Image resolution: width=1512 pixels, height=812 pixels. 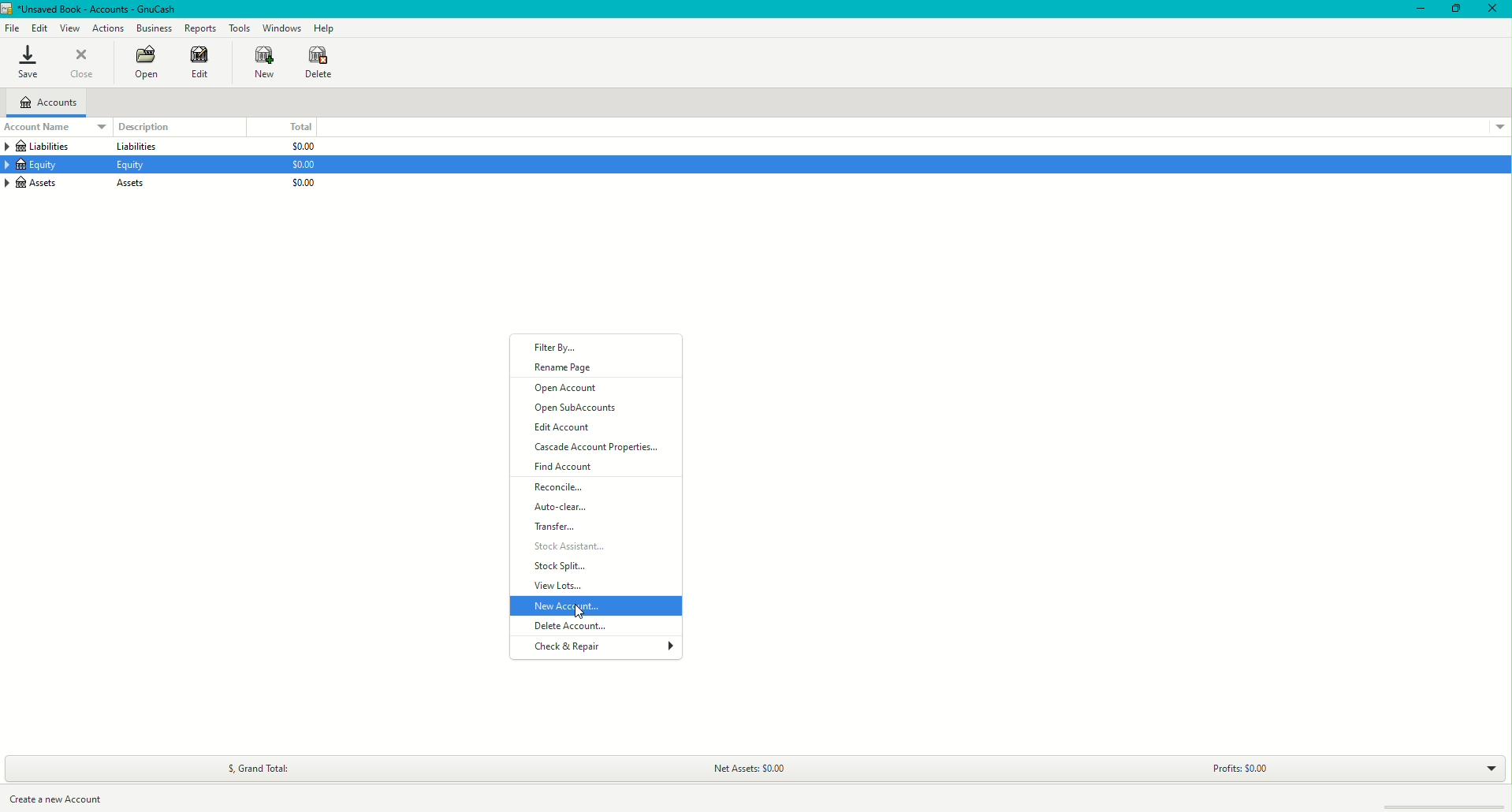 What do you see at coordinates (203, 64) in the screenshot?
I see `Edit` at bounding box center [203, 64].